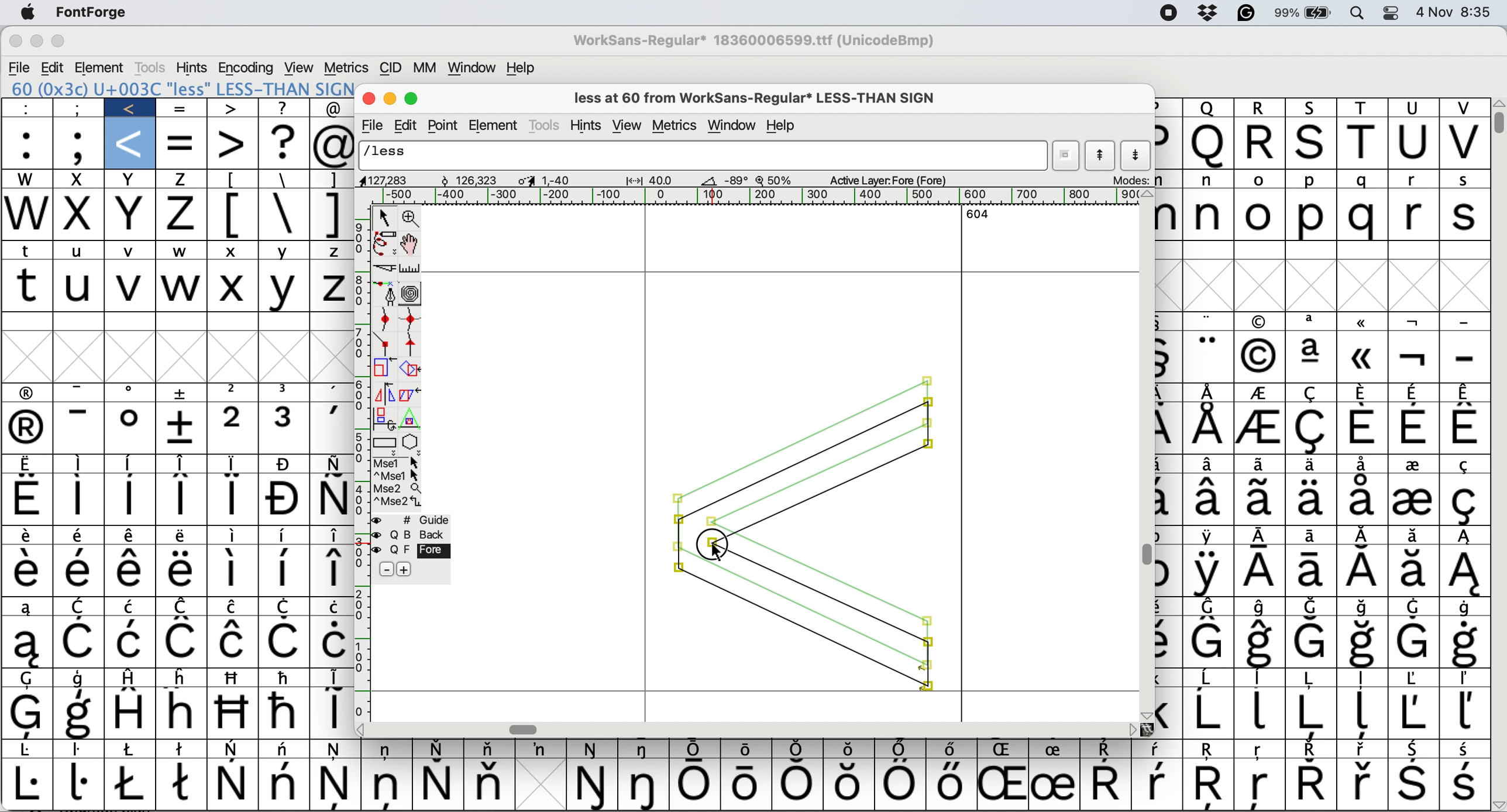 Image resolution: width=1507 pixels, height=812 pixels. Describe the element at coordinates (1411, 714) in the screenshot. I see `Symbol` at that location.